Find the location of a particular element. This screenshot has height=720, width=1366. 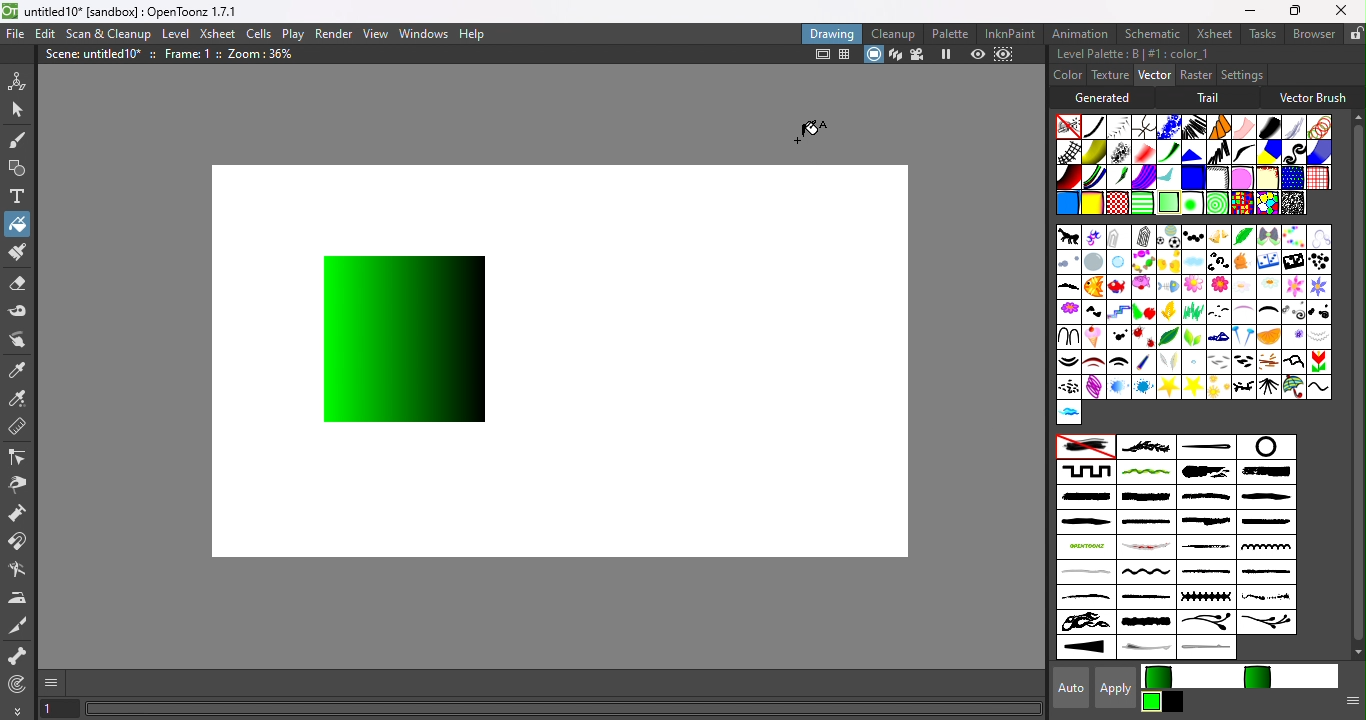

Gouache is located at coordinates (1120, 178).